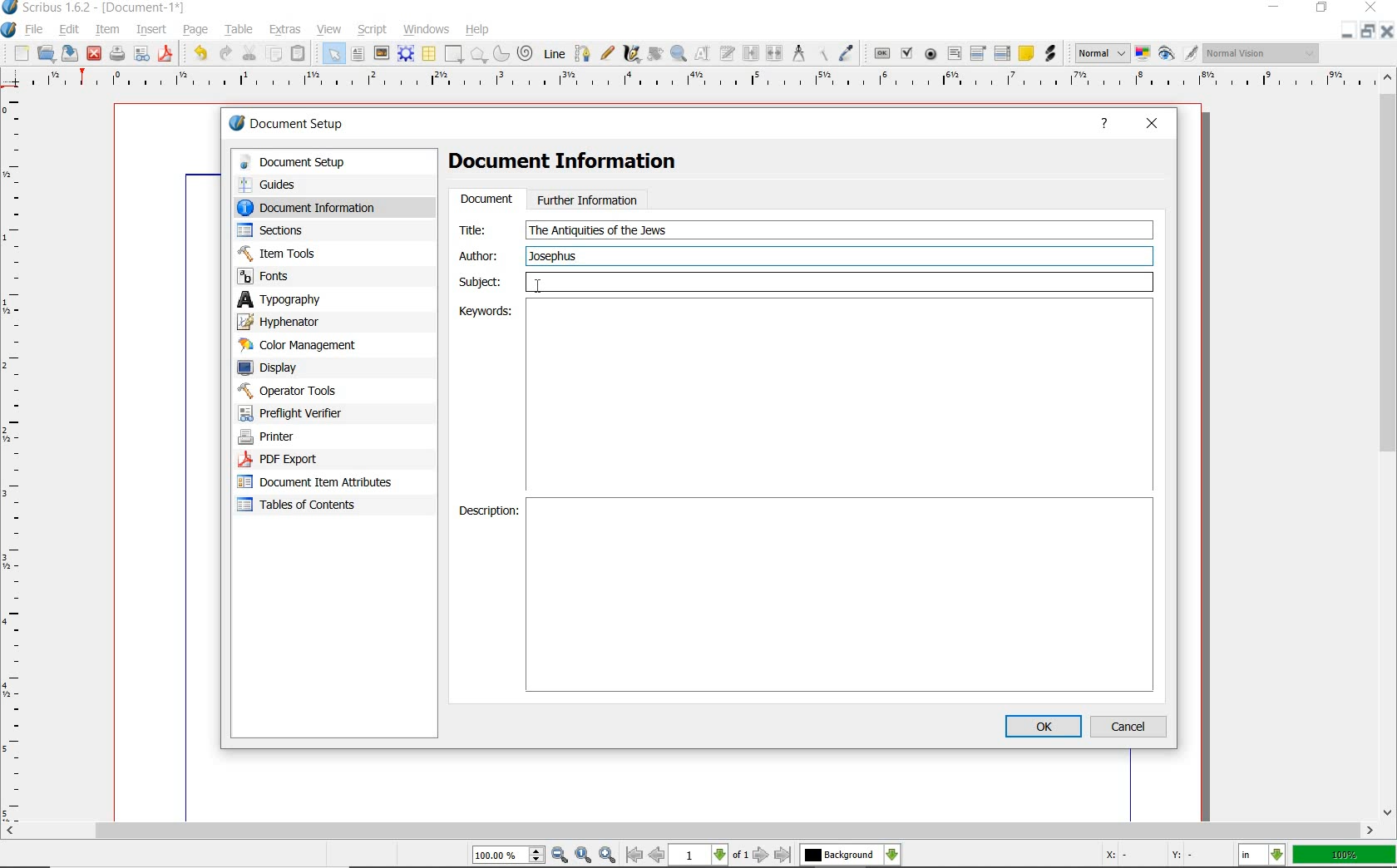  Describe the element at coordinates (1147, 856) in the screenshot. I see `coordinates` at that location.